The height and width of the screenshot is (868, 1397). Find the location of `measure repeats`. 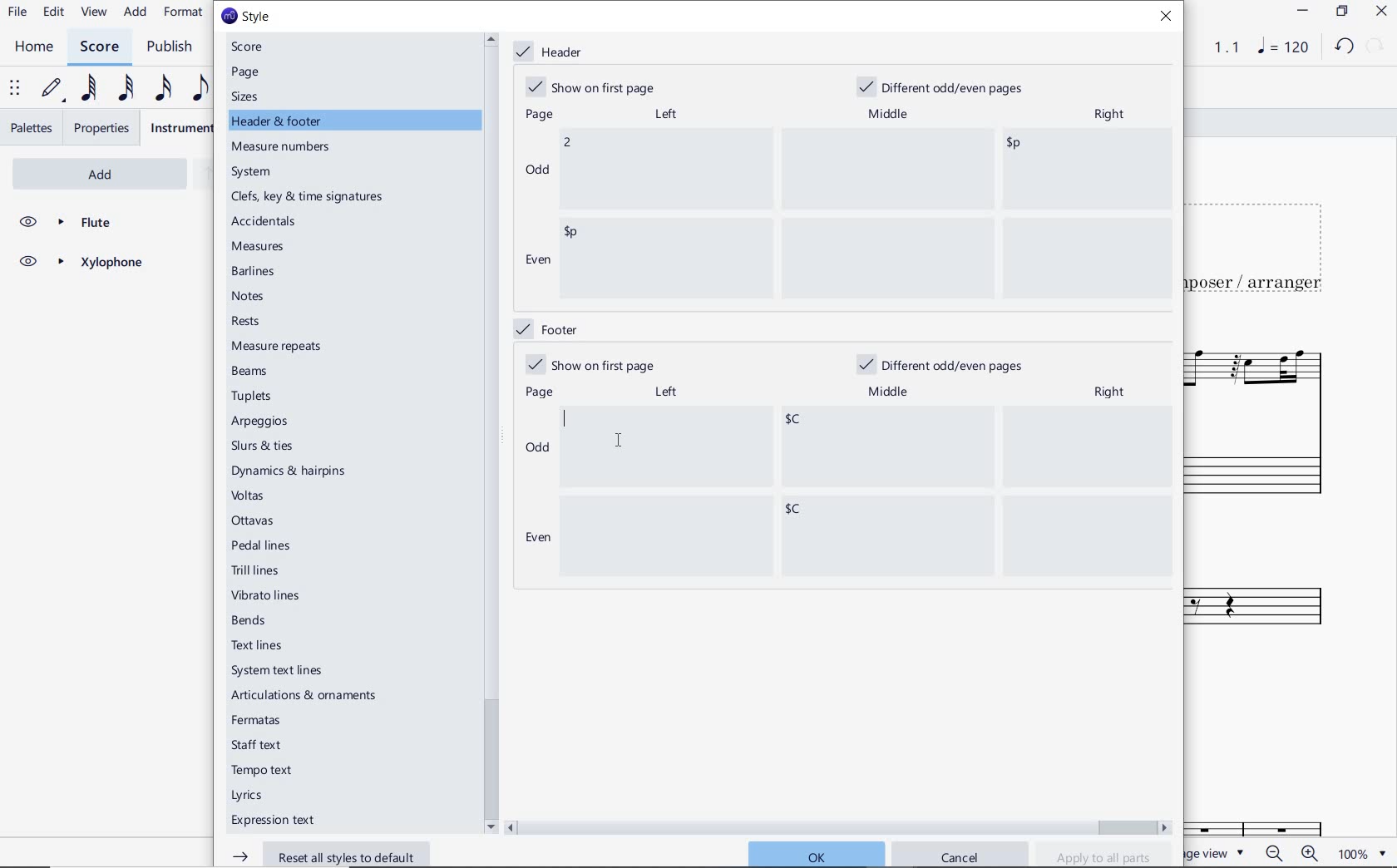

measure repeats is located at coordinates (277, 346).